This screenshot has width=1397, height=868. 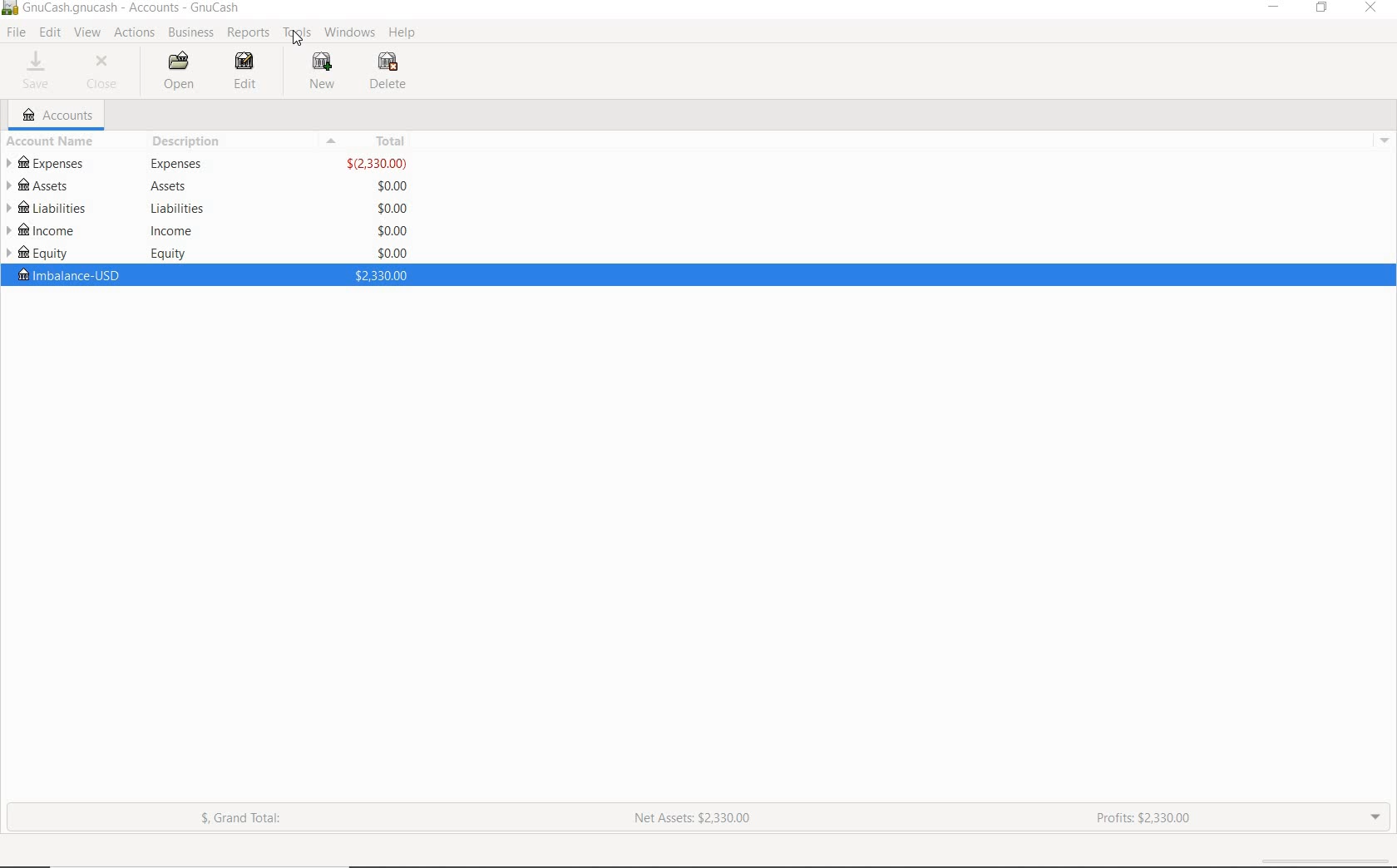 I want to click on REPORTS, so click(x=249, y=33).